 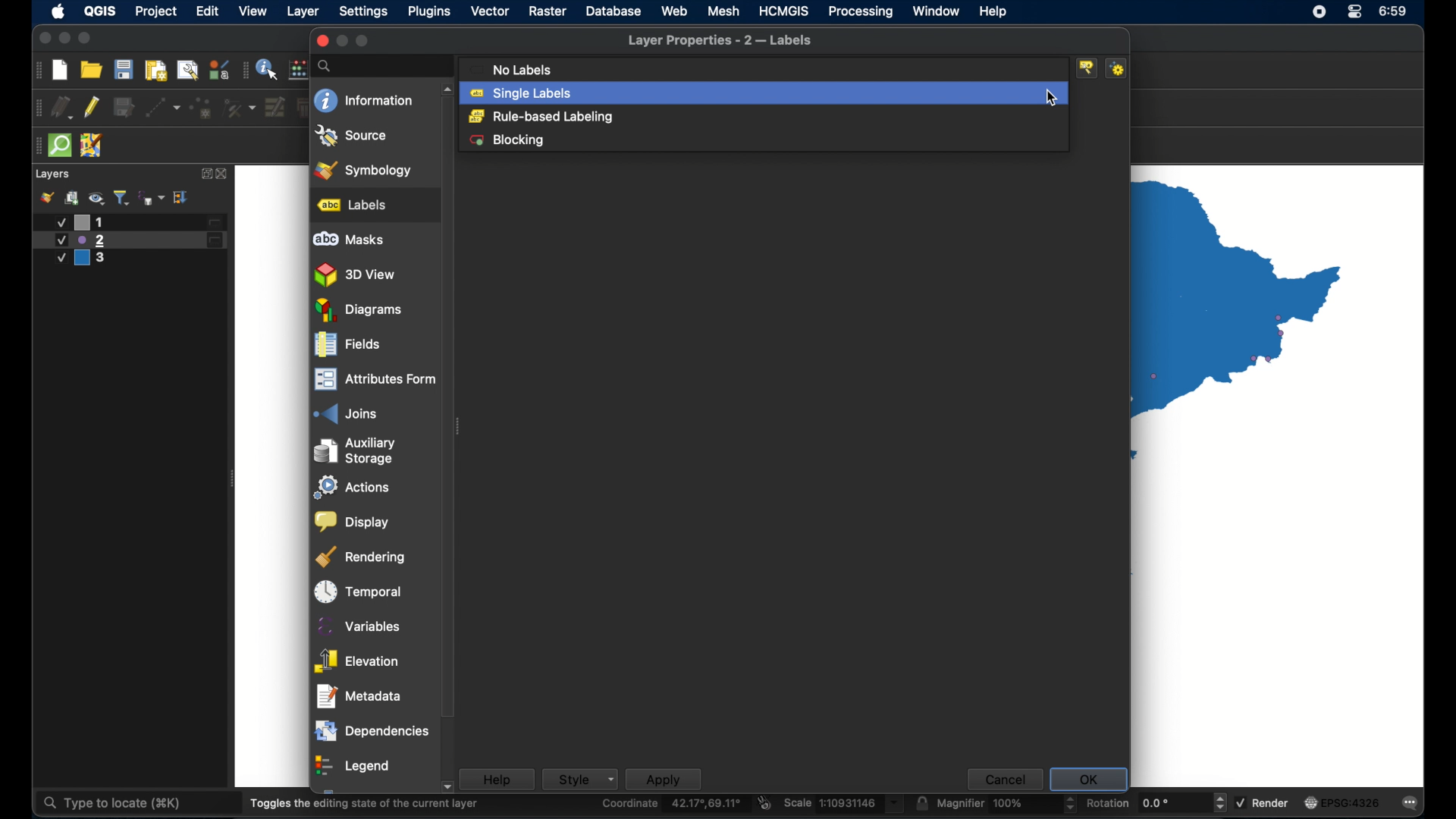 I want to click on configure project labelling tools, so click(x=1088, y=67).